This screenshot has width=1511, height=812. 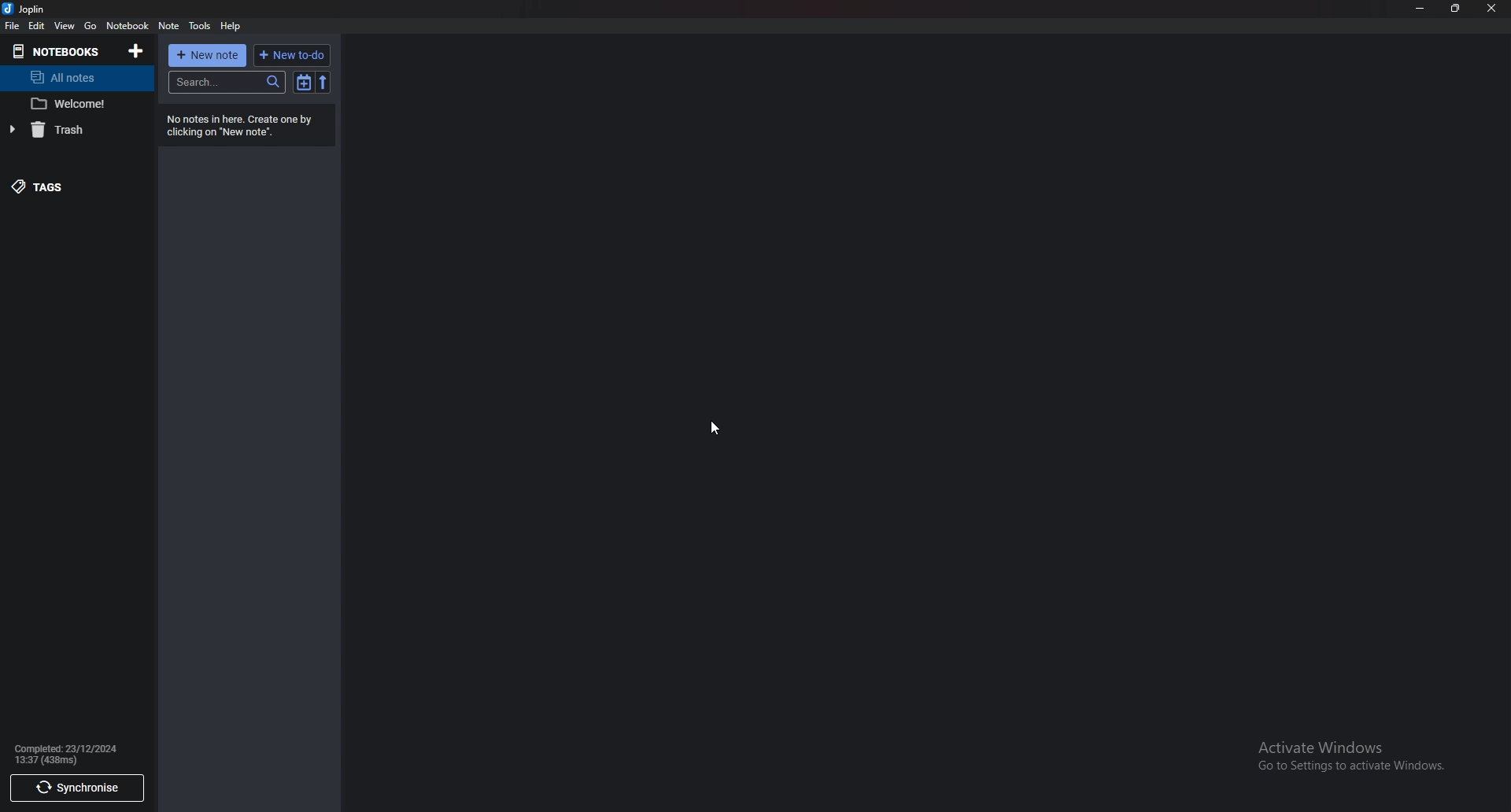 What do you see at coordinates (91, 27) in the screenshot?
I see `go` at bounding box center [91, 27].